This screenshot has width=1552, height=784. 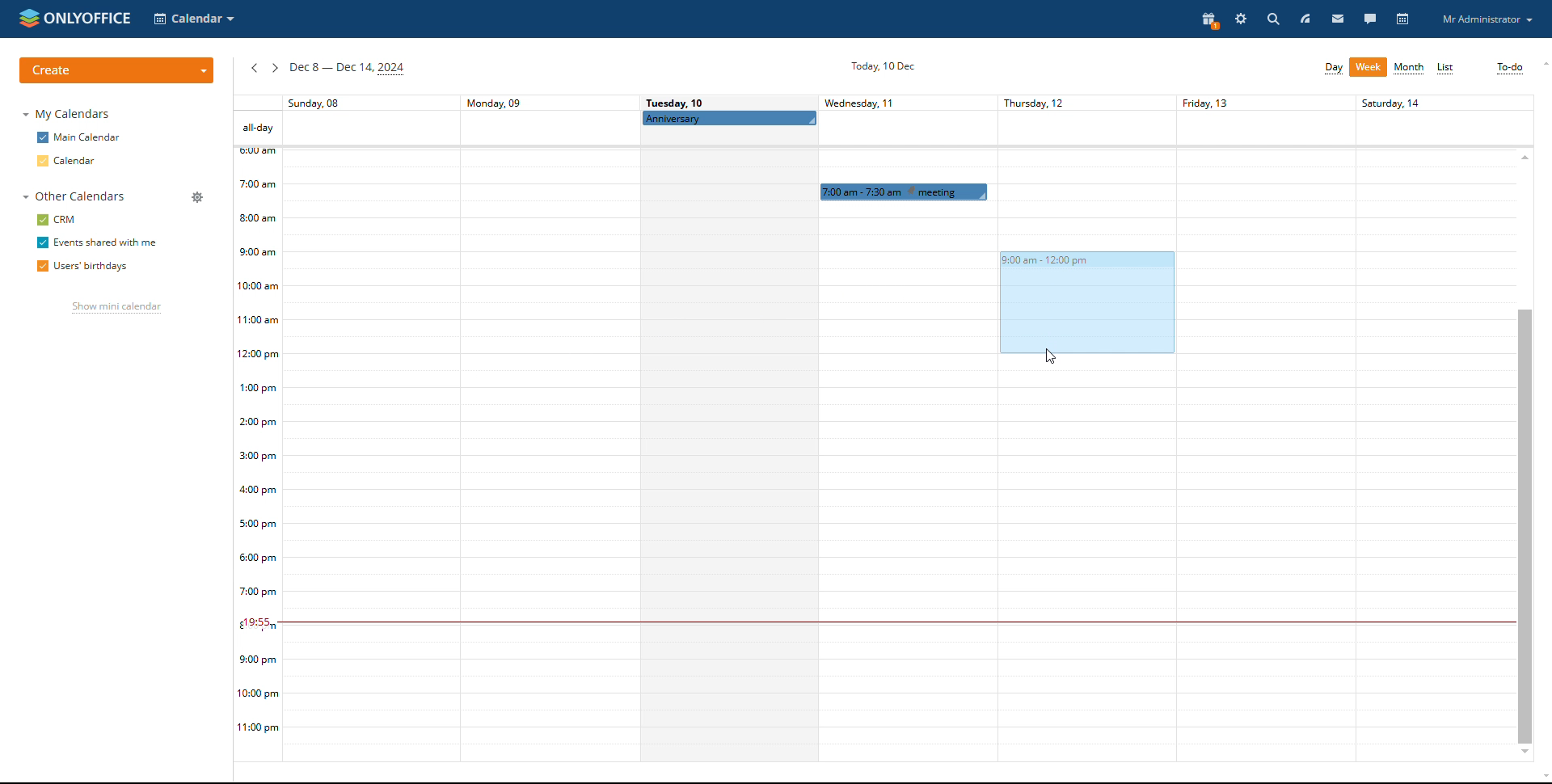 What do you see at coordinates (28, 17) in the screenshot?
I see `onlyoffice logo` at bounding box center [28, 17].